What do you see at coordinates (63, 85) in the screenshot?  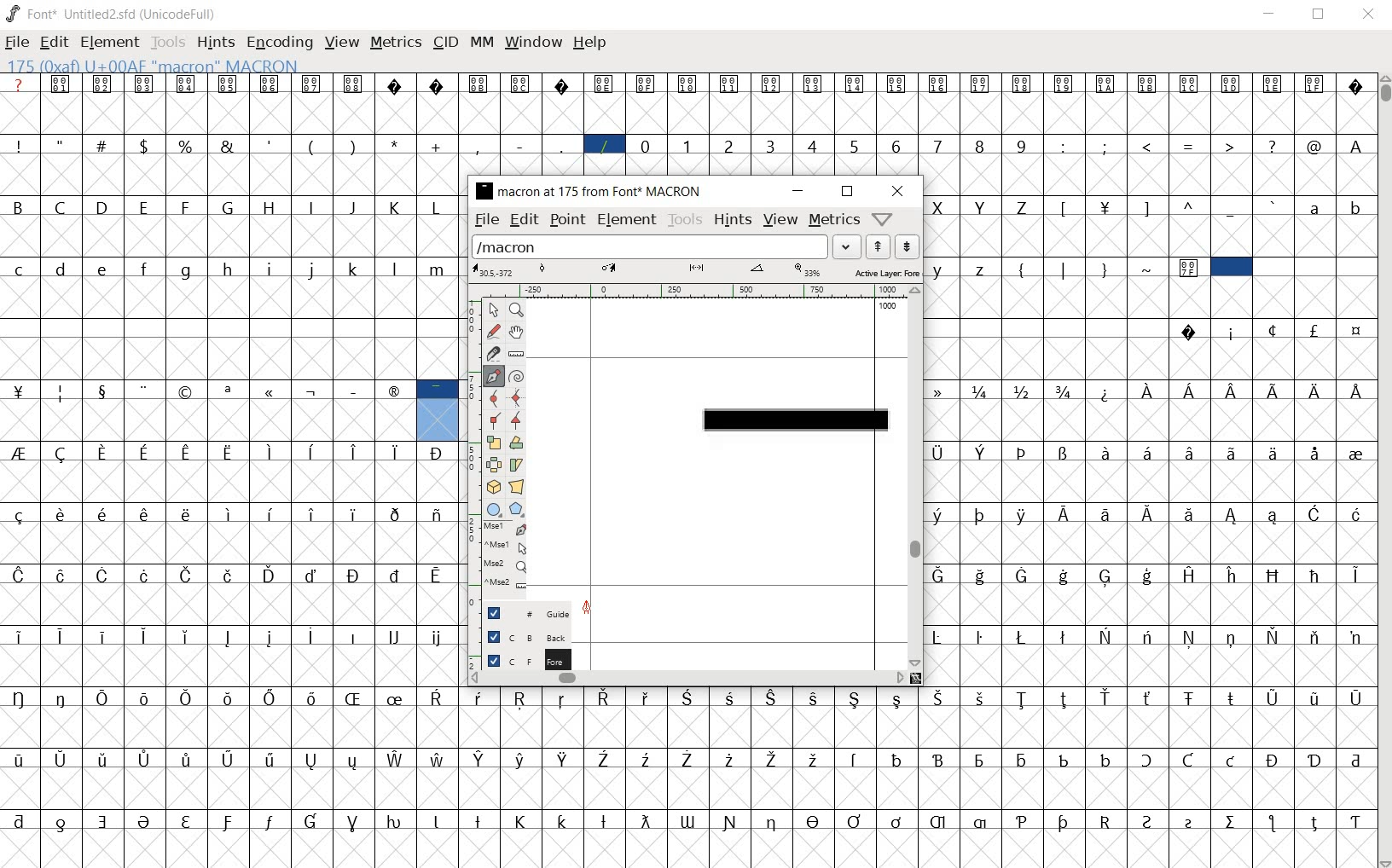 I see `Symbol` at bounding box center [63, 85].